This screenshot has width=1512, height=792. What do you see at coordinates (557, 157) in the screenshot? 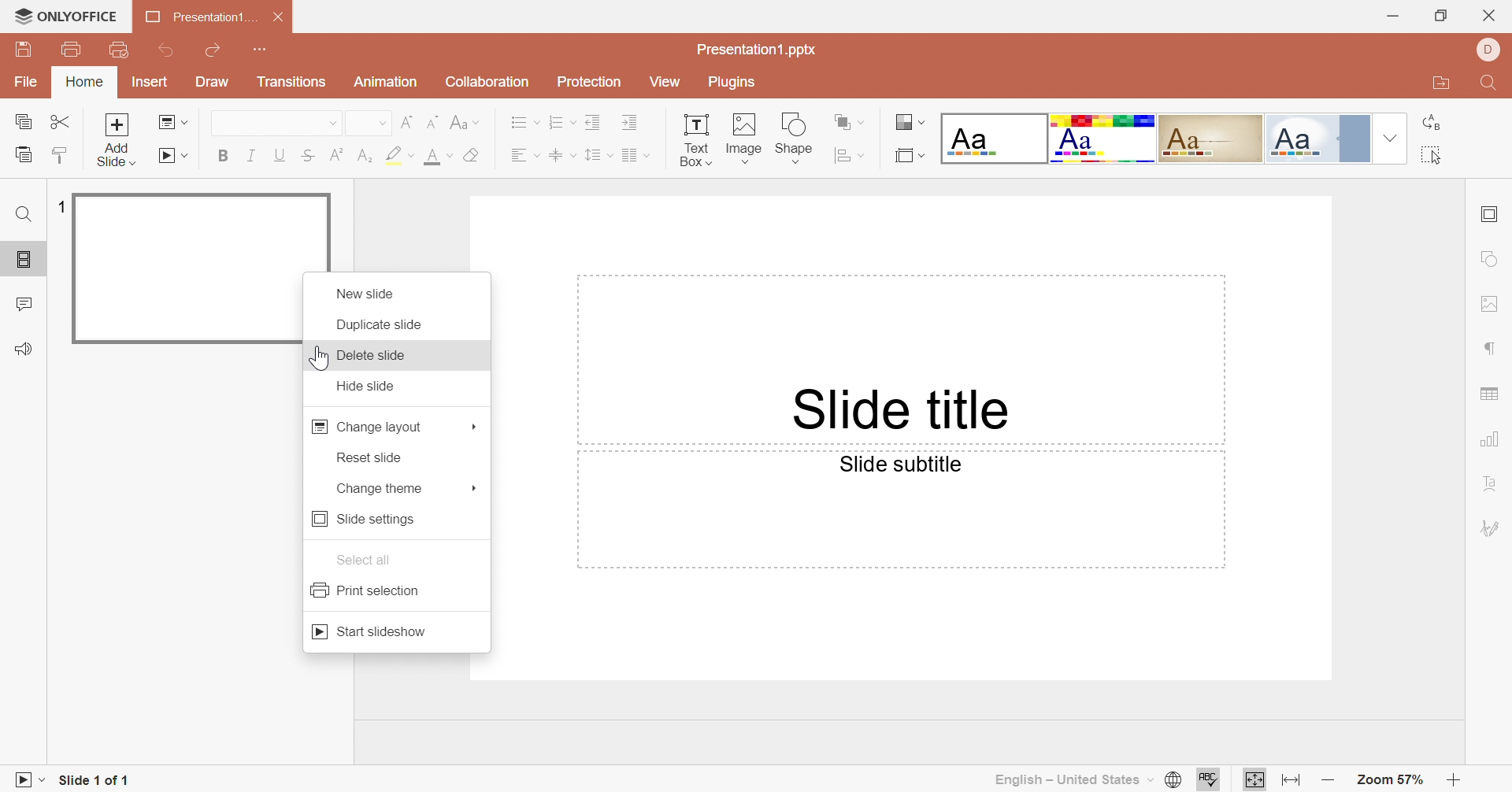
I see `Align Text to Middle` at bounding box center [557, 157].